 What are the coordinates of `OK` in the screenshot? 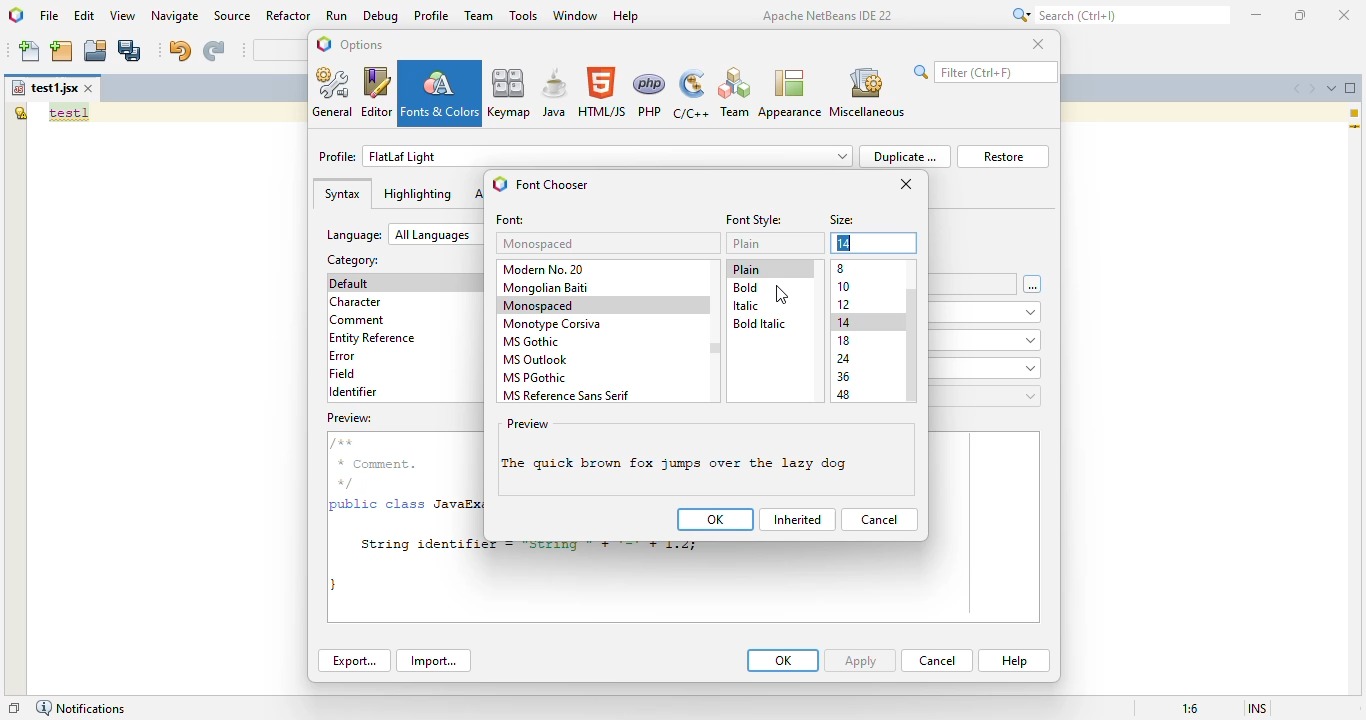 It's located at (783, 660).